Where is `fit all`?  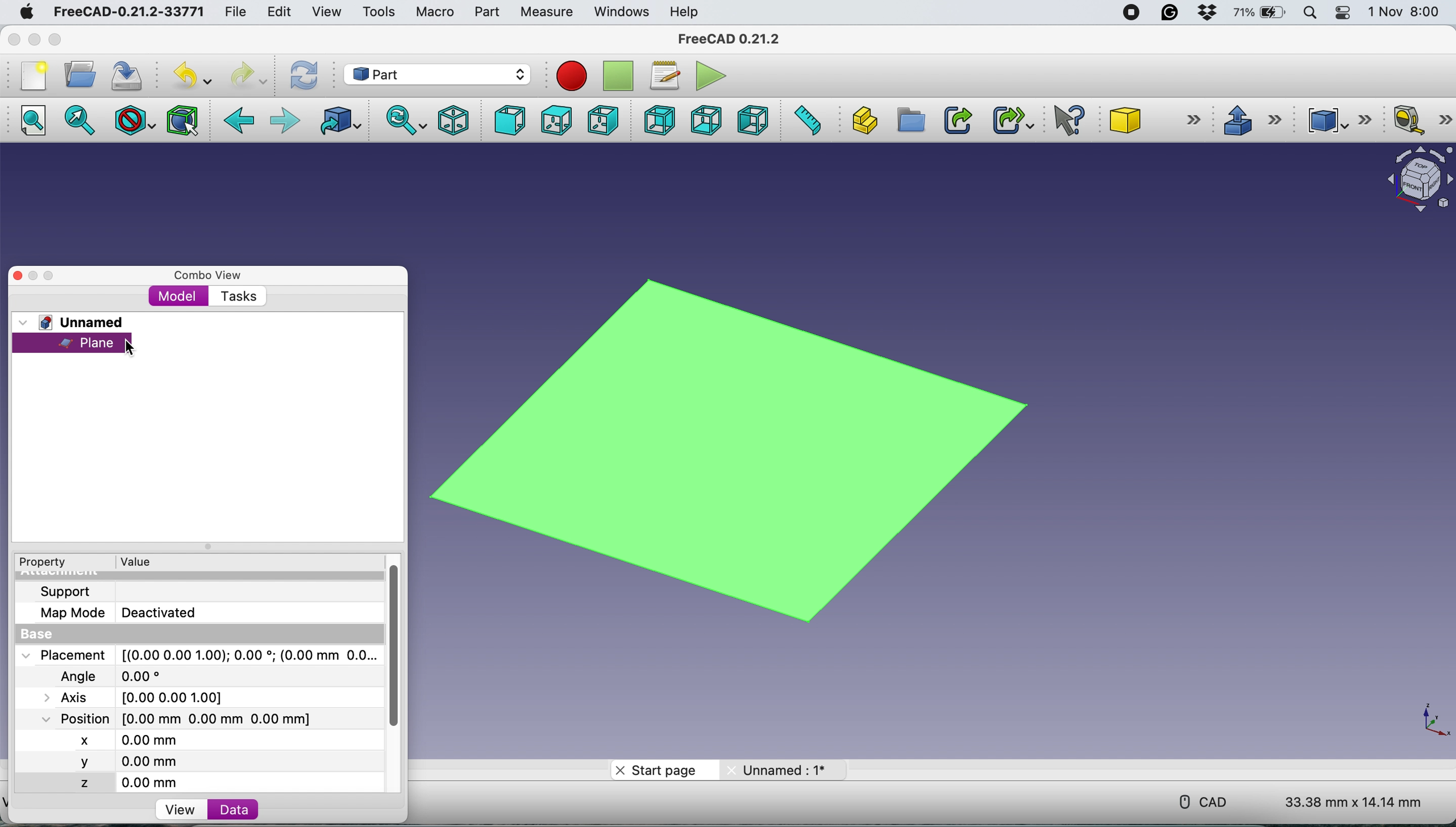 fit all is located at coordinates (34, 121).